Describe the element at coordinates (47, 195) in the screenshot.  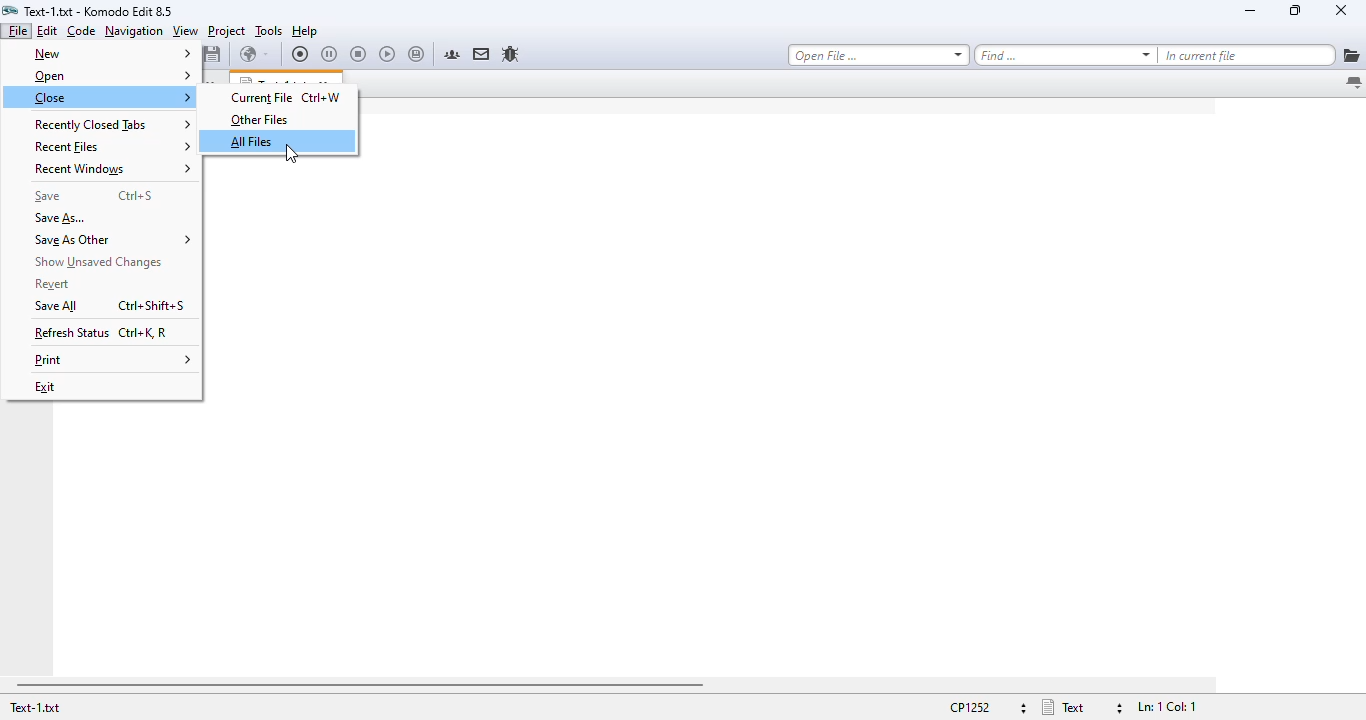
I see `save` at that location.